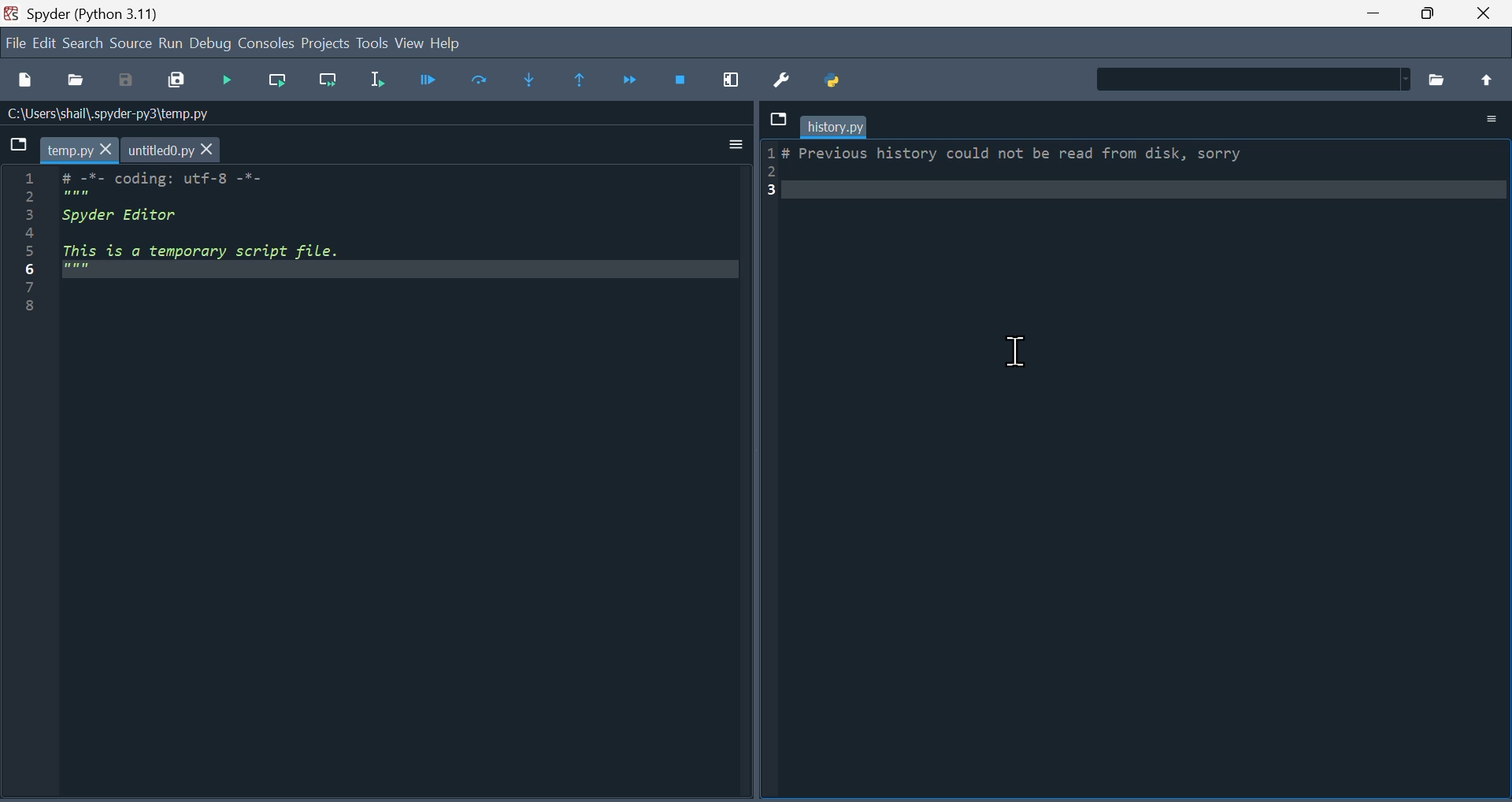 The image size is (1512, 802). What do you see at coordinates (78, 149) in the screenshot?
I see `temp.py` at bounding box center [78, 149].